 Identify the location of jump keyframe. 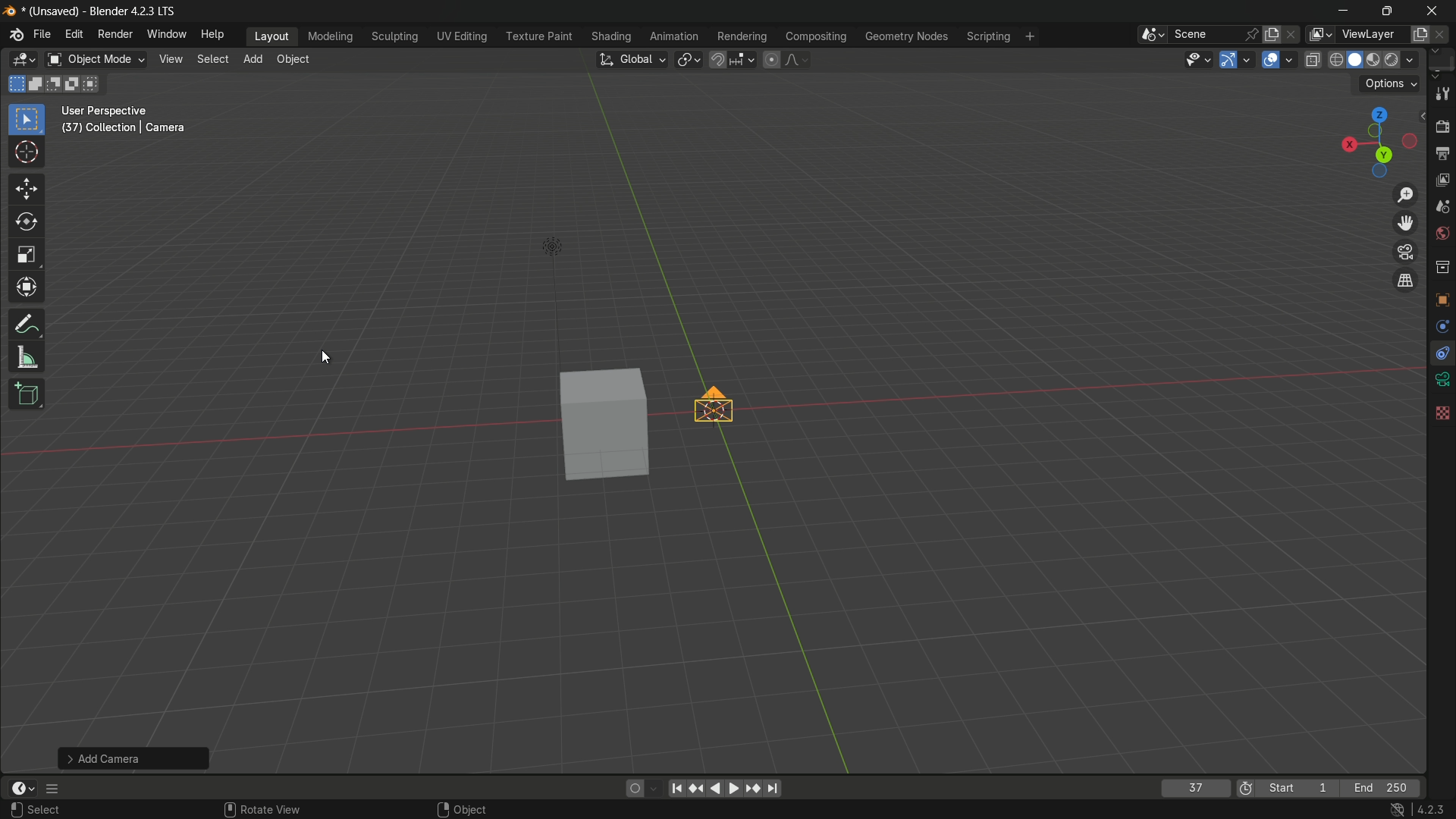
(754, 788).